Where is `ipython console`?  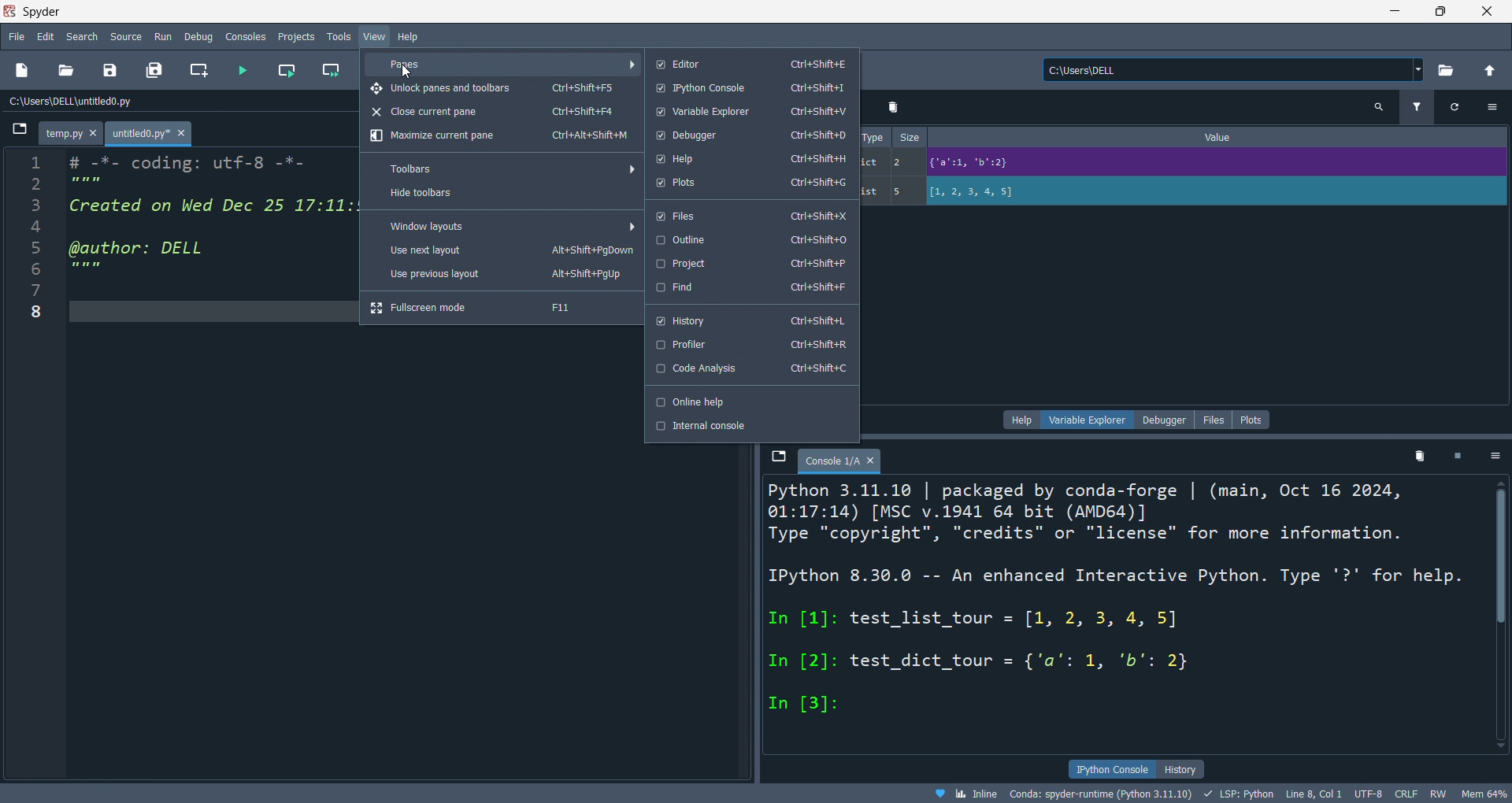
ipython console is located at coordinates (750, 89).